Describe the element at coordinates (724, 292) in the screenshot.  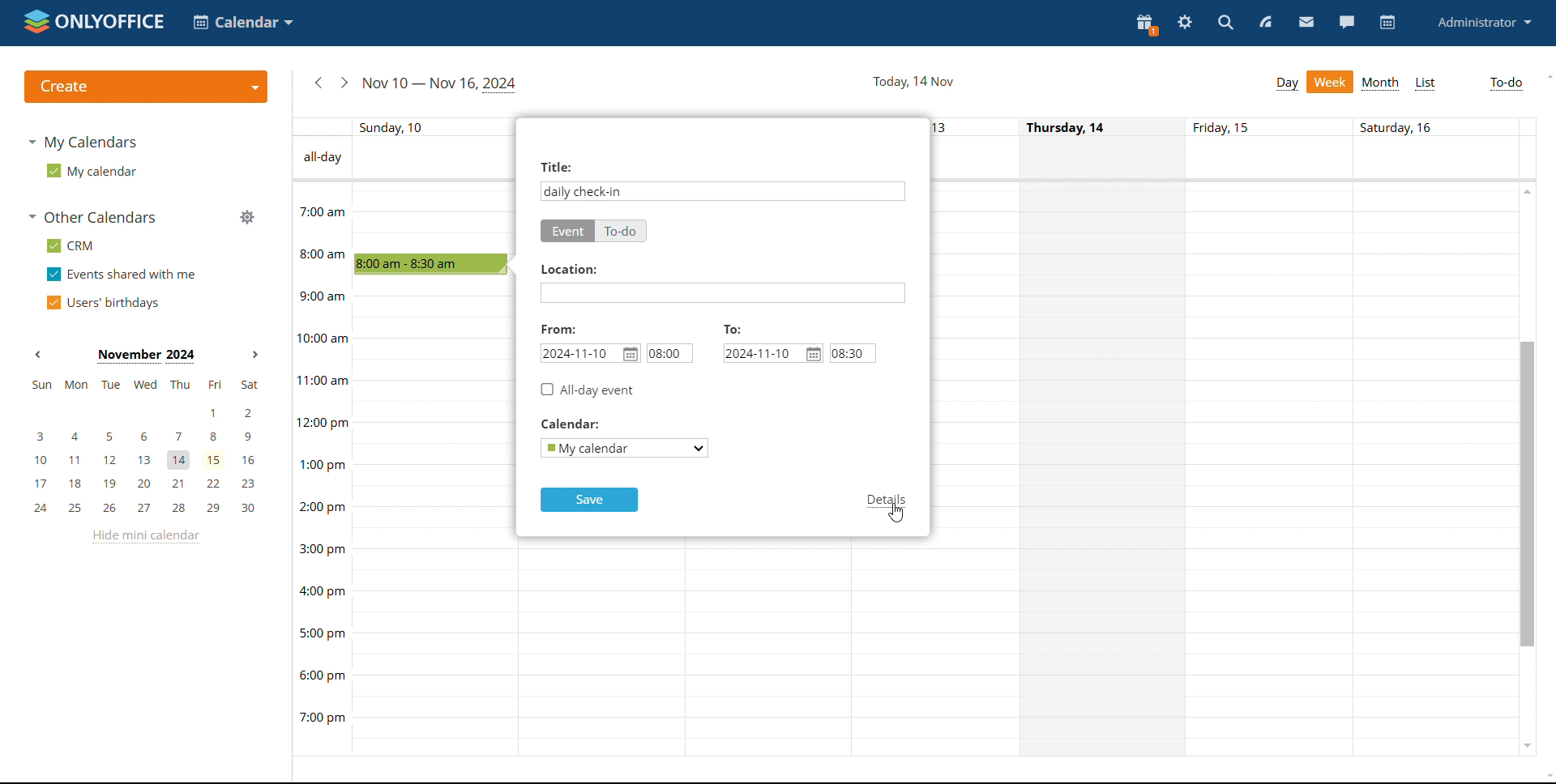
I see `add location` at that location.